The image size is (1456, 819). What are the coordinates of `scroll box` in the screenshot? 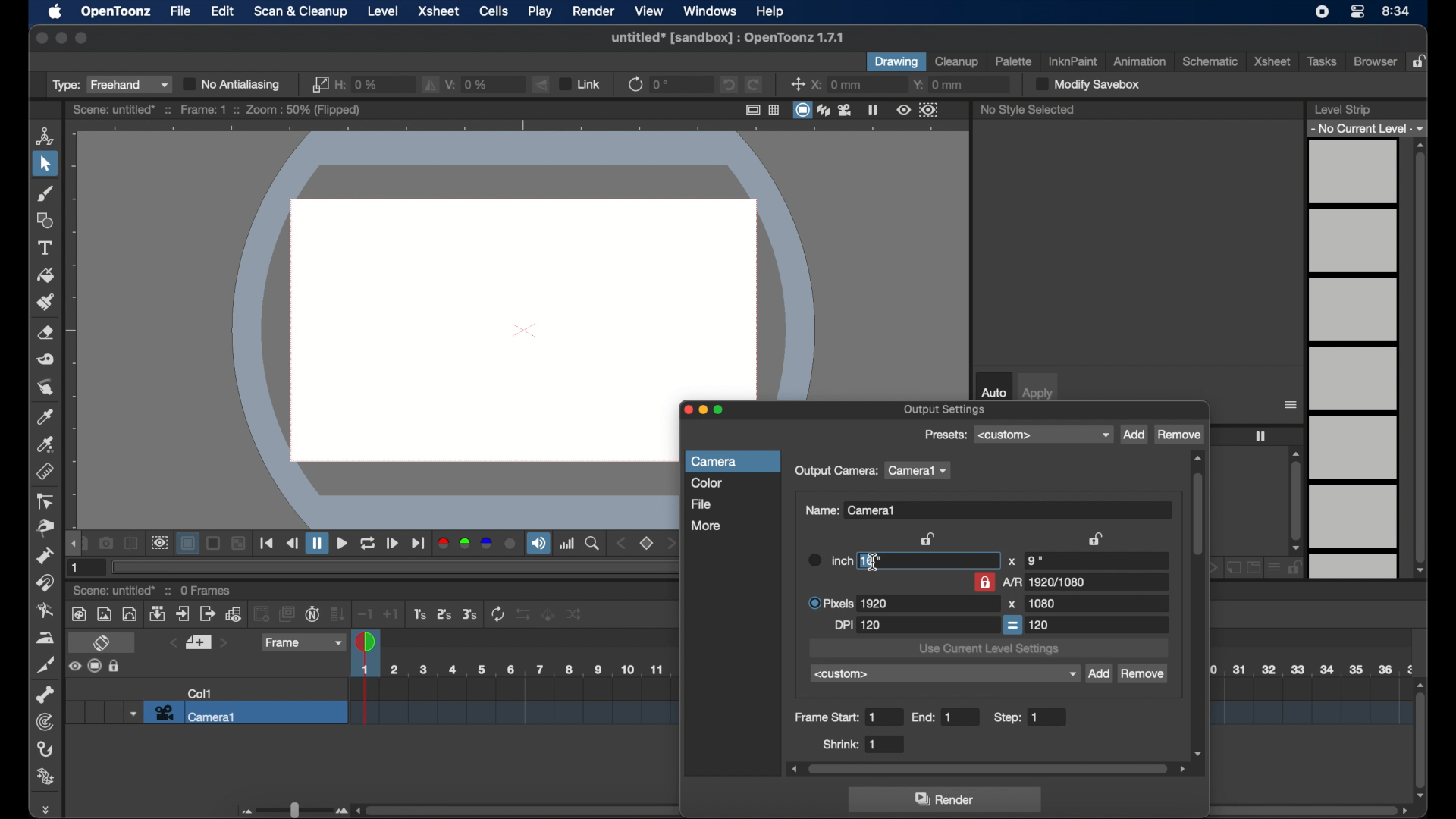 It's located at (1420, 358).